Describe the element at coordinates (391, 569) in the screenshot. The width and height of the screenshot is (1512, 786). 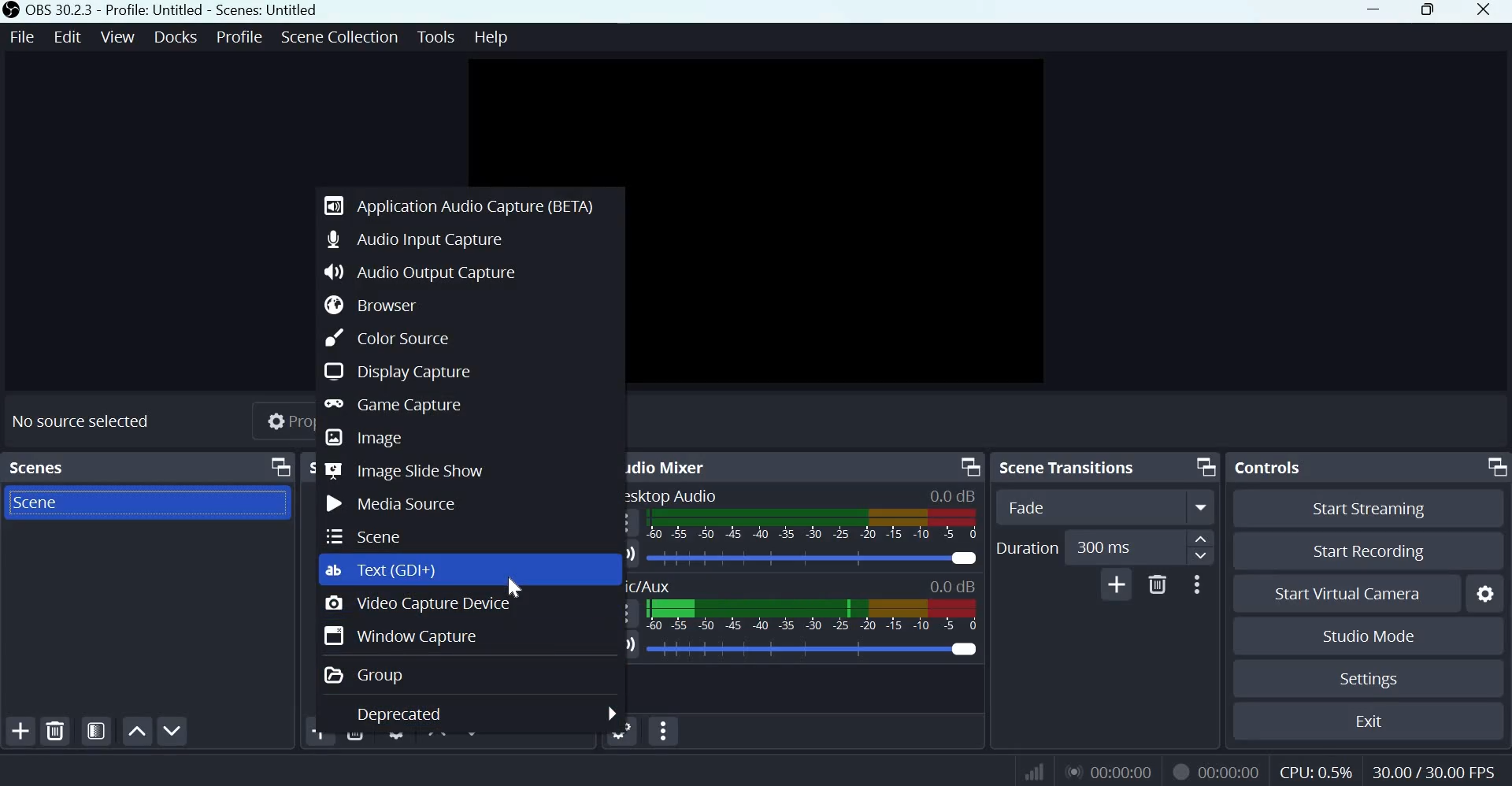
I see `Text (GDI+)` at that location.